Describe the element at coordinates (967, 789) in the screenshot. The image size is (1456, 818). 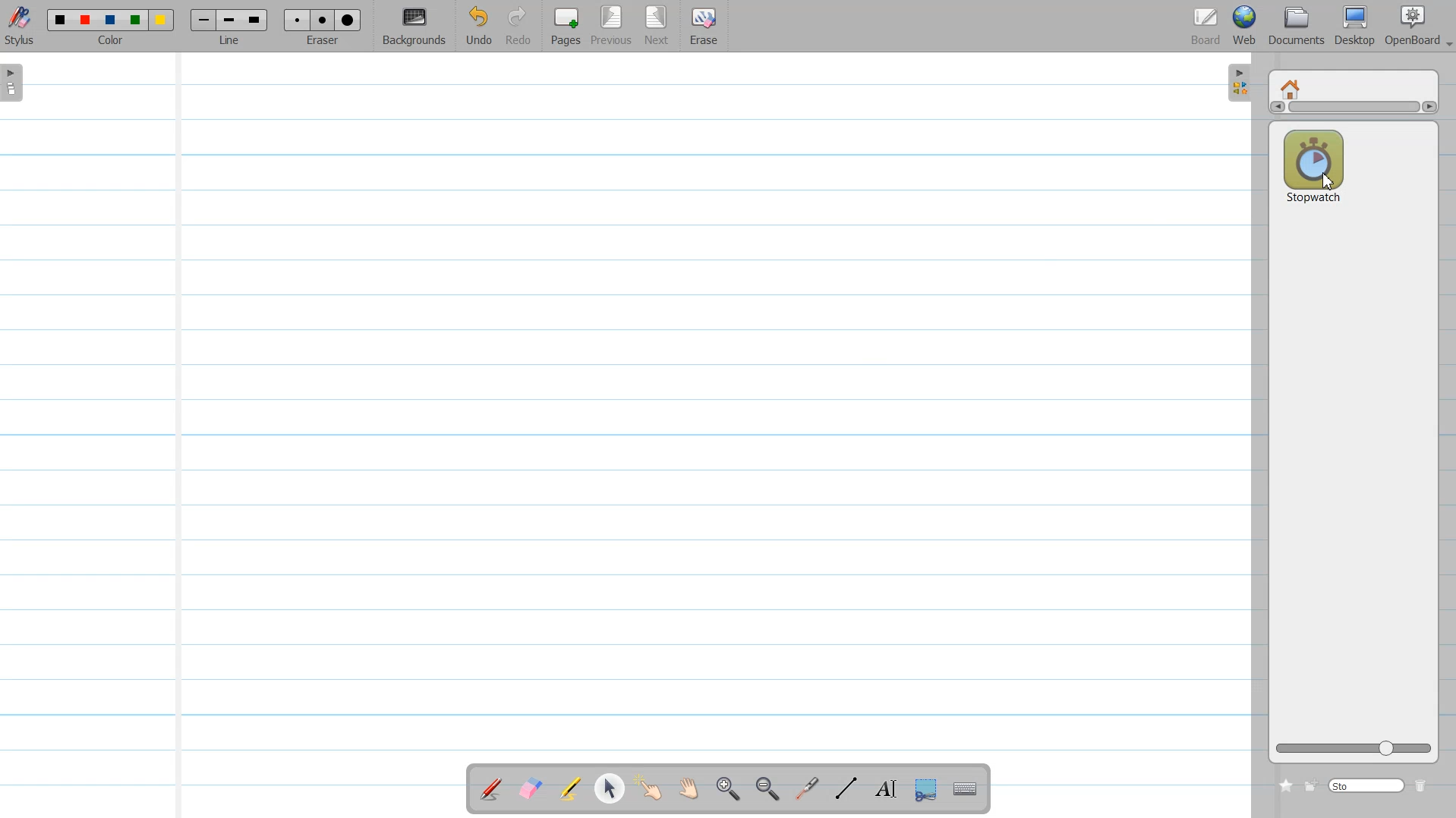
I see `Display Virtual Keyboard ` at that location.